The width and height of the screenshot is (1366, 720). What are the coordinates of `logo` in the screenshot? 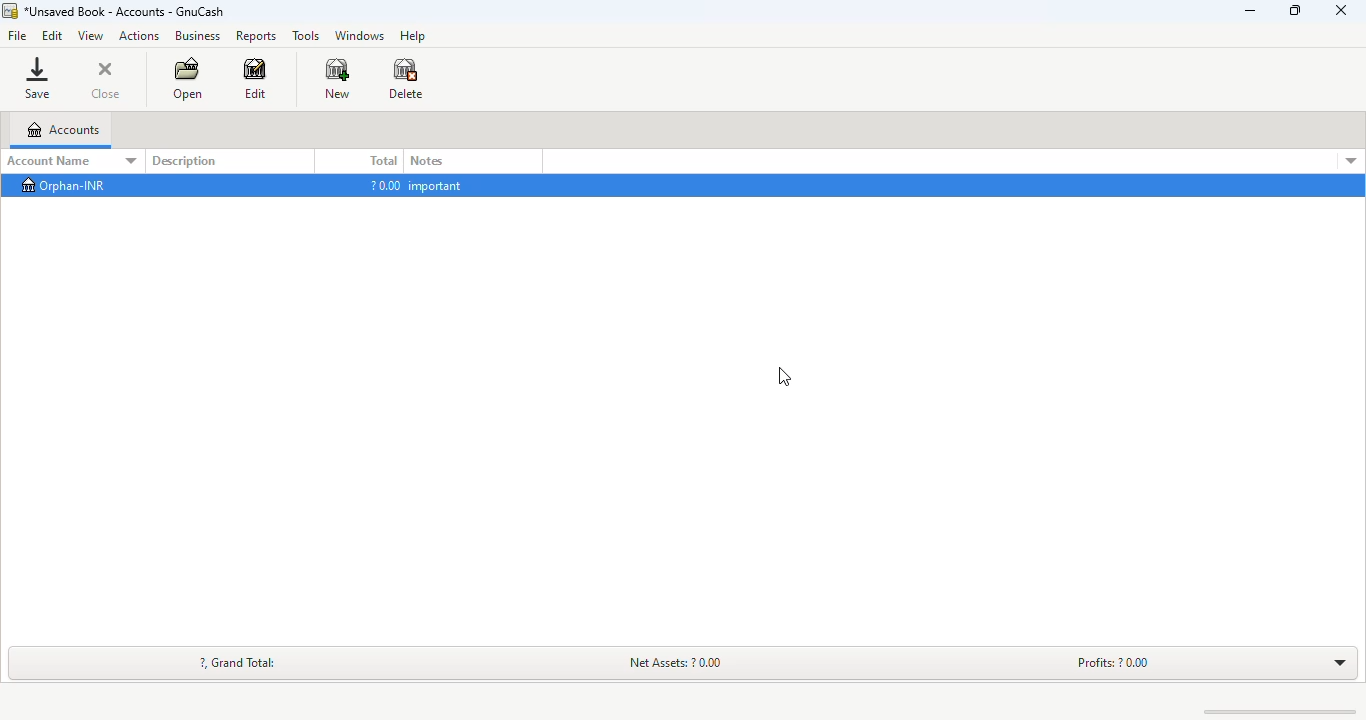 It's located at (9, 11).